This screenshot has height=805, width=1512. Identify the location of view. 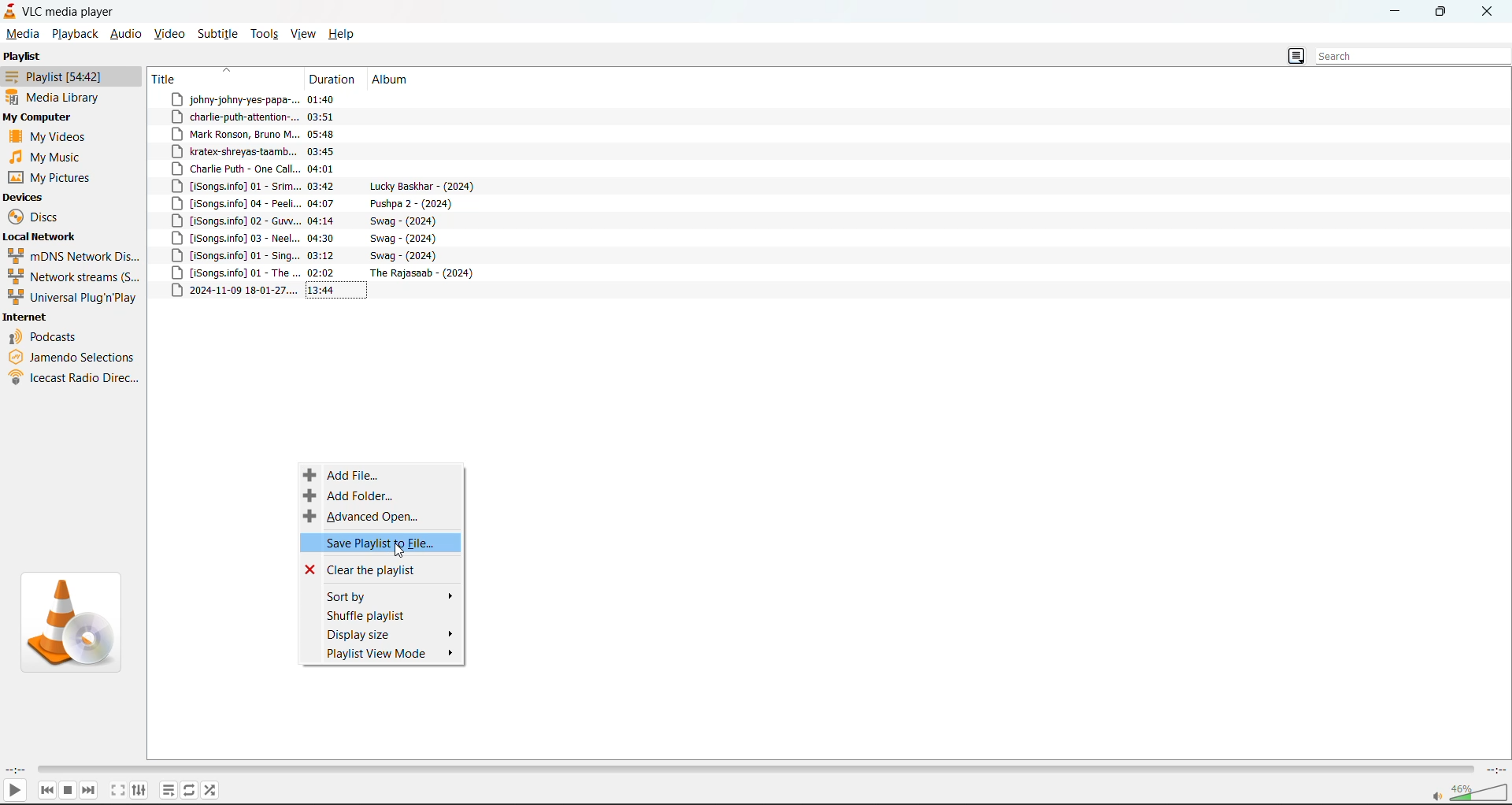
(307, 33).